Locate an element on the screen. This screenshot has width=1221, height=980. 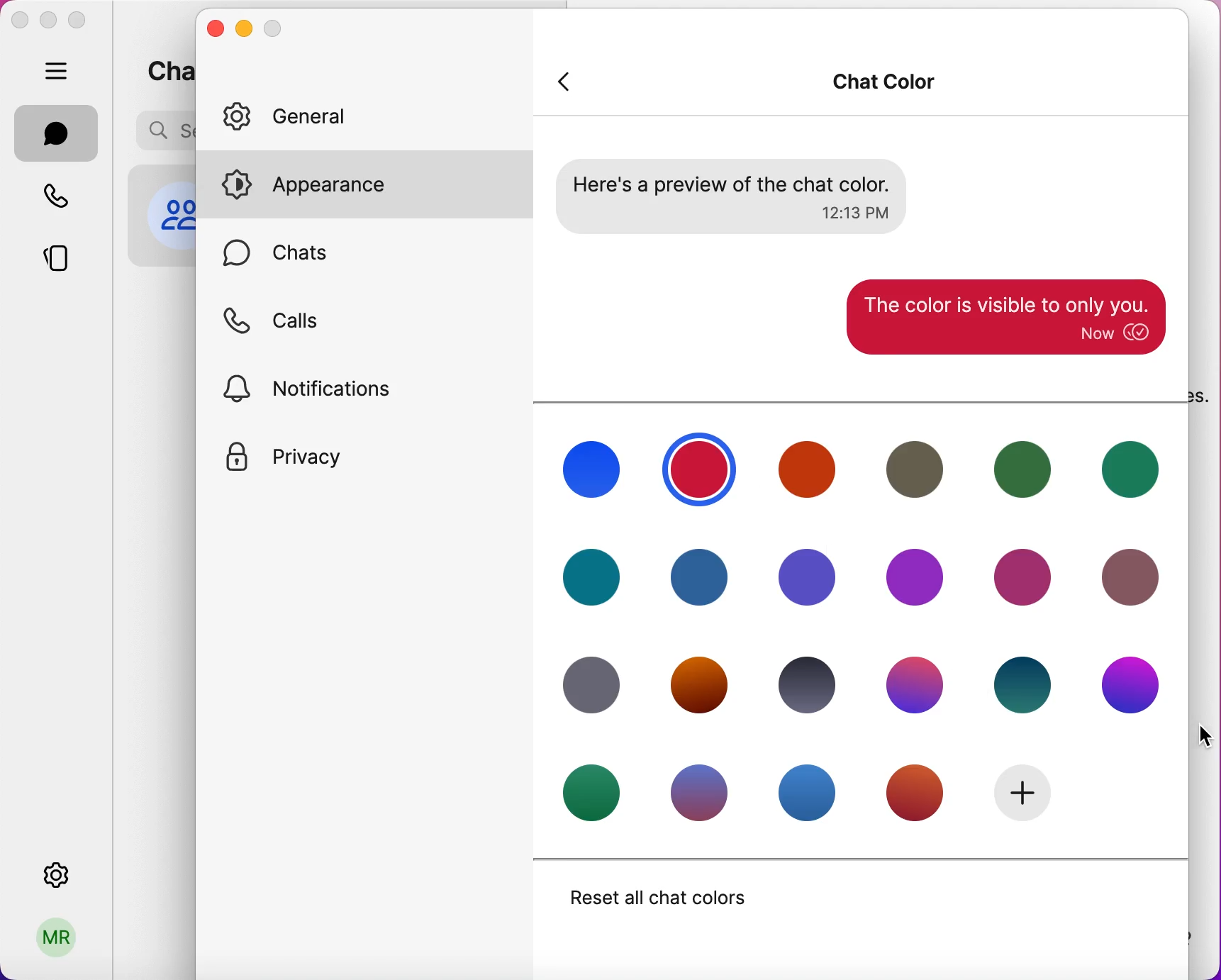
add new color is located at coordinates (1020, 797).